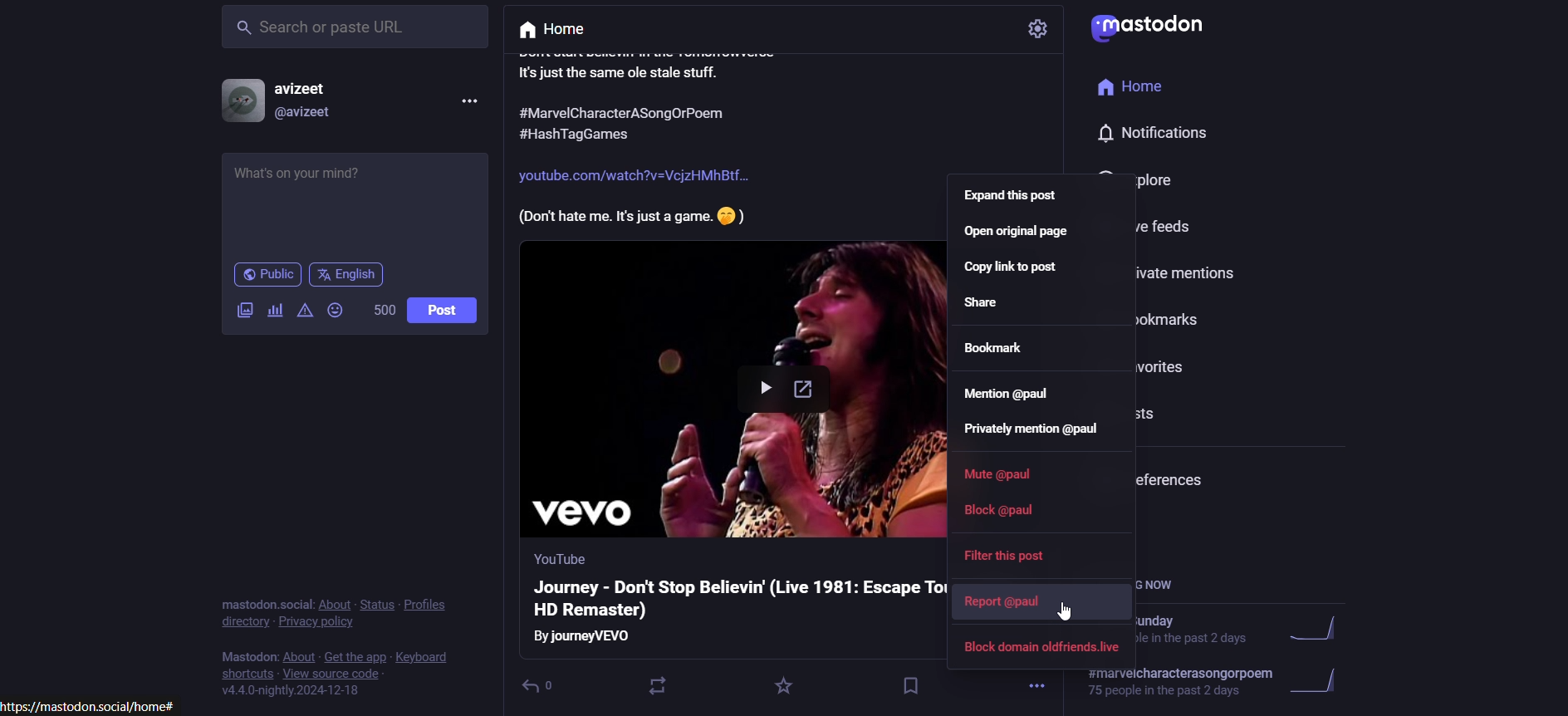  Describe the element at coordinates (1039, 434) in the screenshot. I see `privately mention user` at that location.